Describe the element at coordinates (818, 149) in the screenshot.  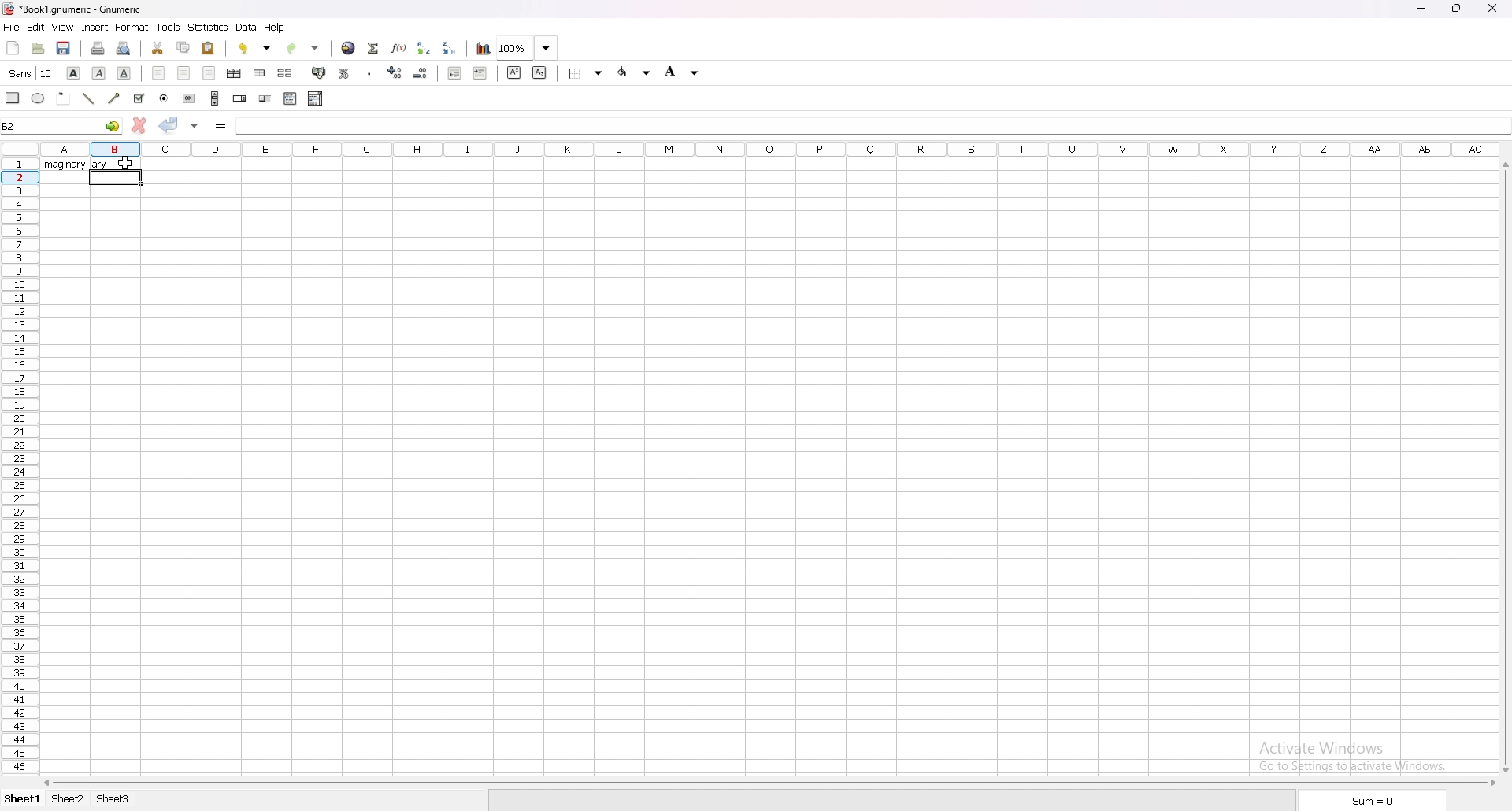
I see `Rows` at that location.